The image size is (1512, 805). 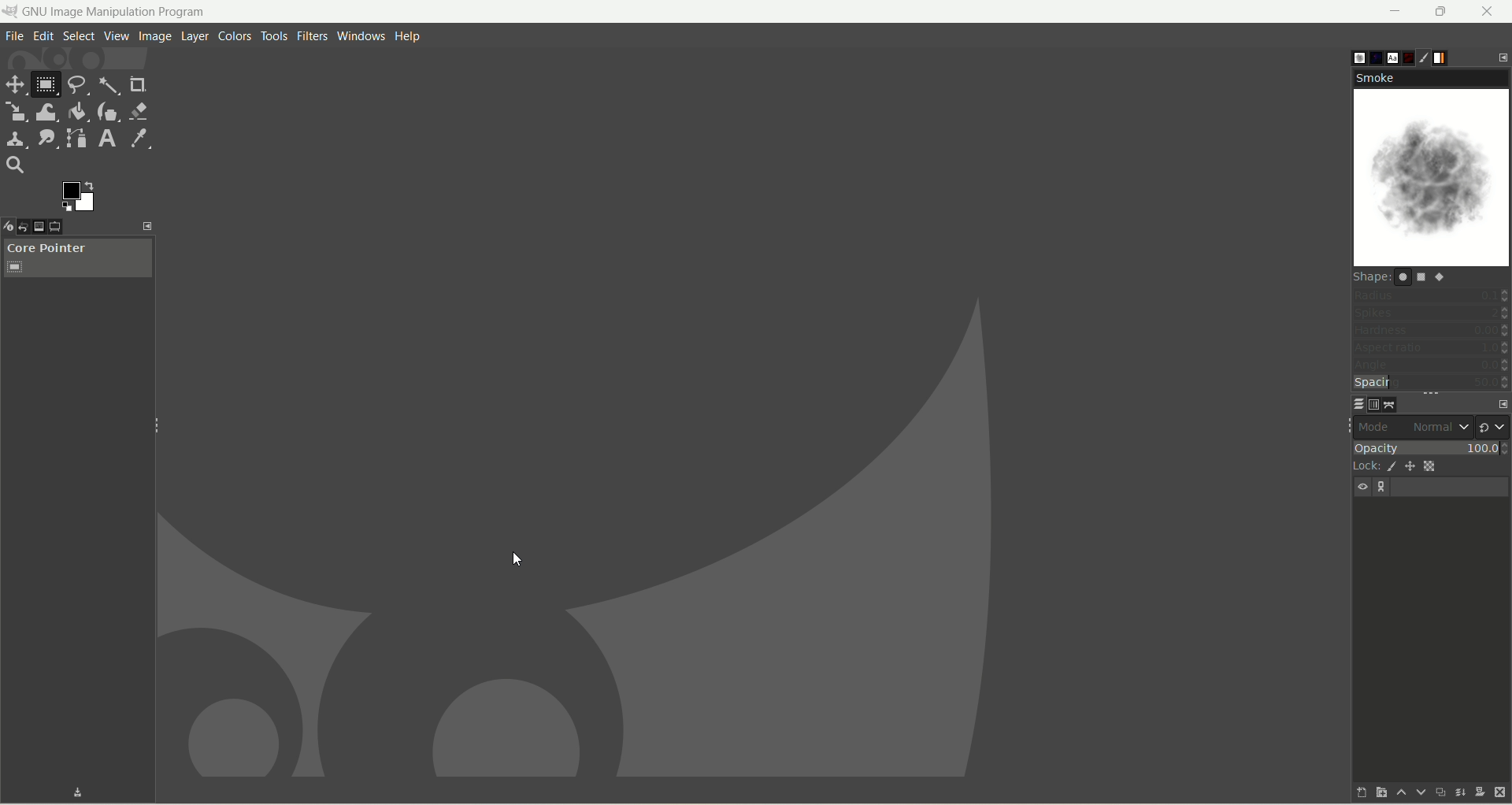 I want to click on lock pixels, so click(x=1389, y=466).